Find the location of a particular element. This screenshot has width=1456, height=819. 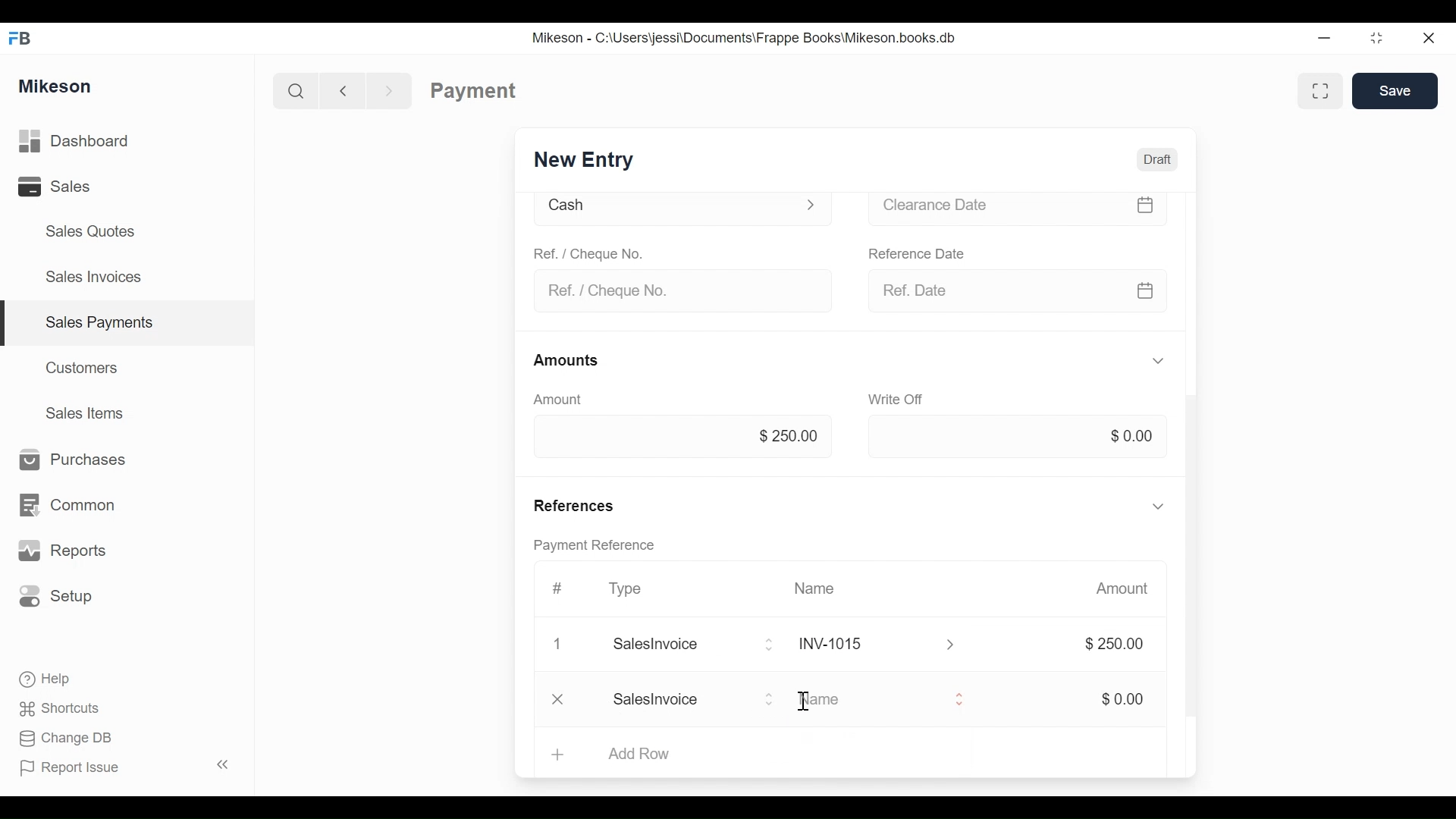

Full width toggle is located at coordinates (1318, 92).